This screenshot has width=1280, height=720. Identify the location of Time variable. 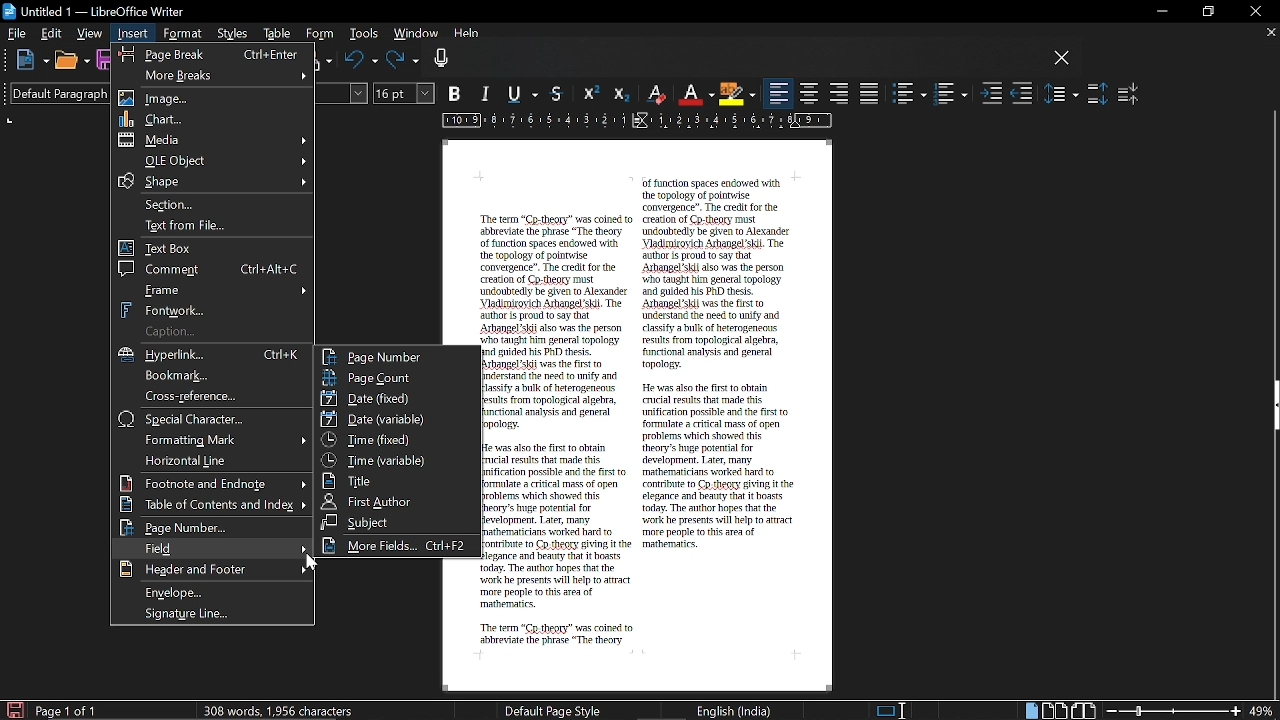
(396, 458).